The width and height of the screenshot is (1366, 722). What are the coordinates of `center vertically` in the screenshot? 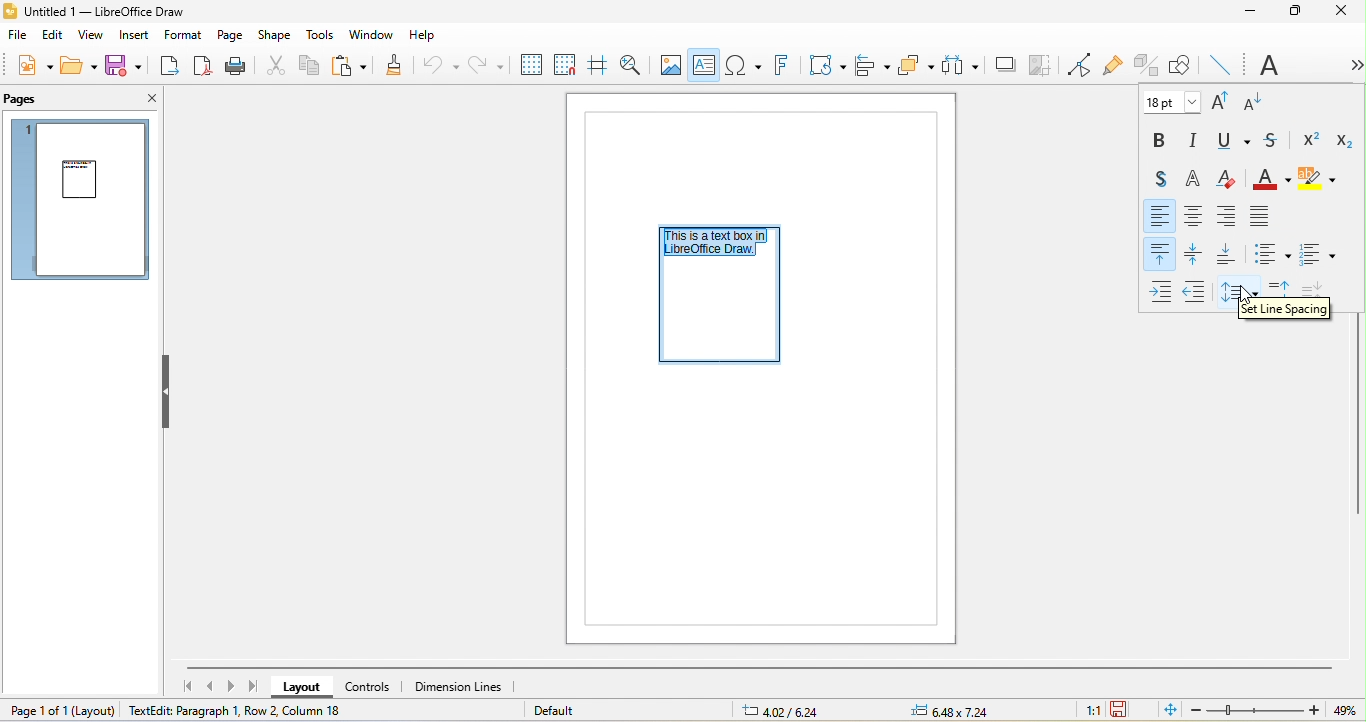 It's located at (1197, 253).